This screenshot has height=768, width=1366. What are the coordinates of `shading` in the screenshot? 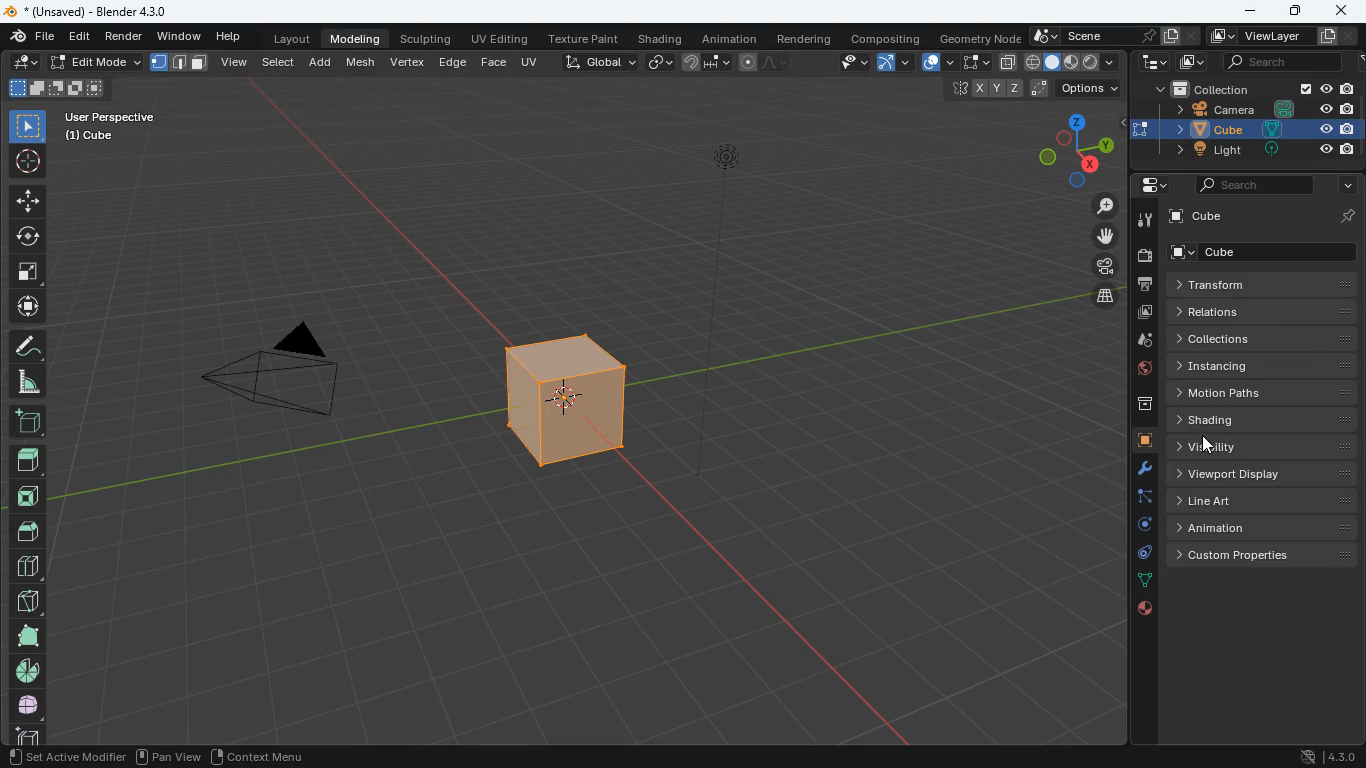 It's located at (1264, 419).